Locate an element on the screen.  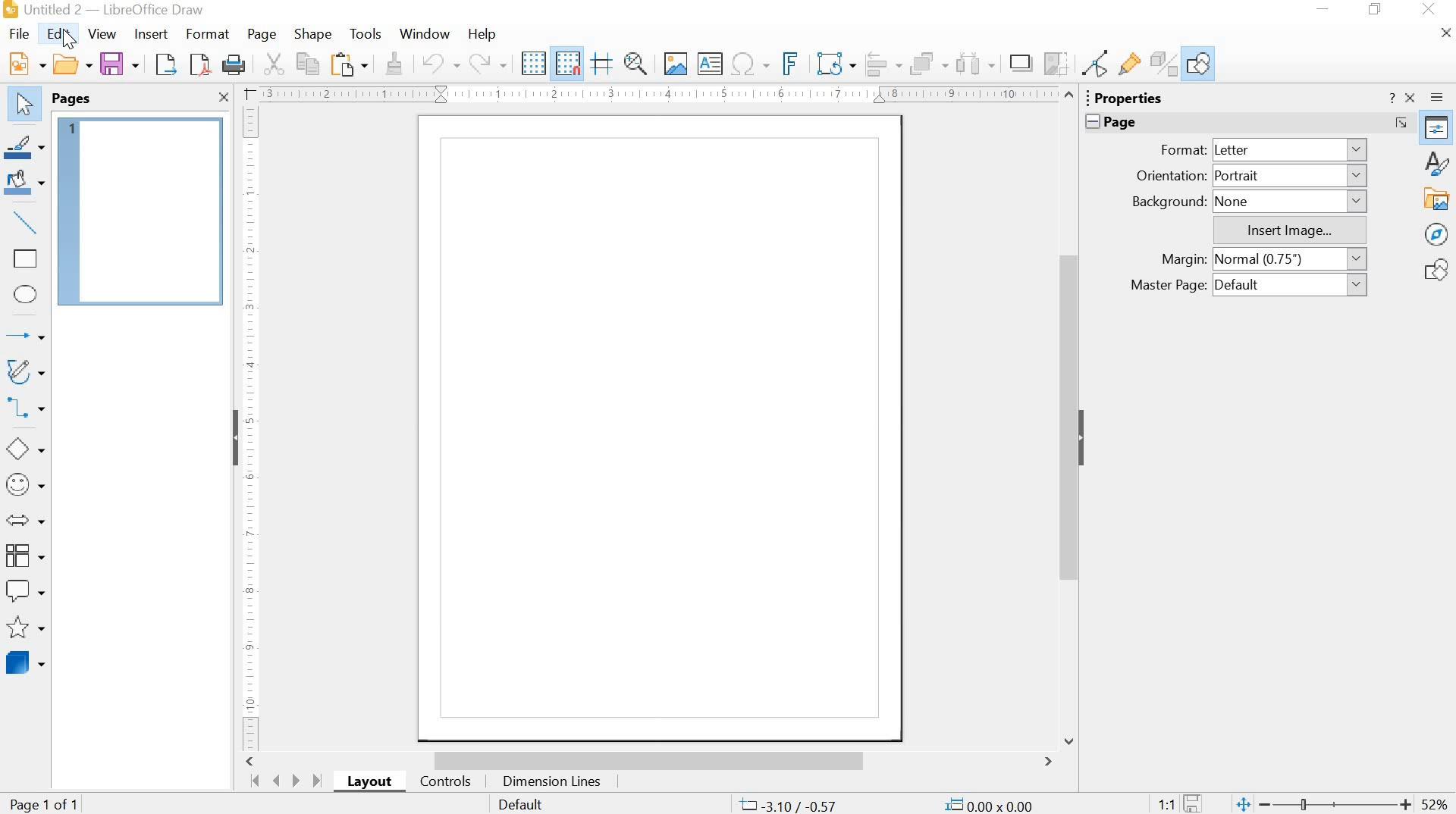
Edit is located at coordinates (58, 33).